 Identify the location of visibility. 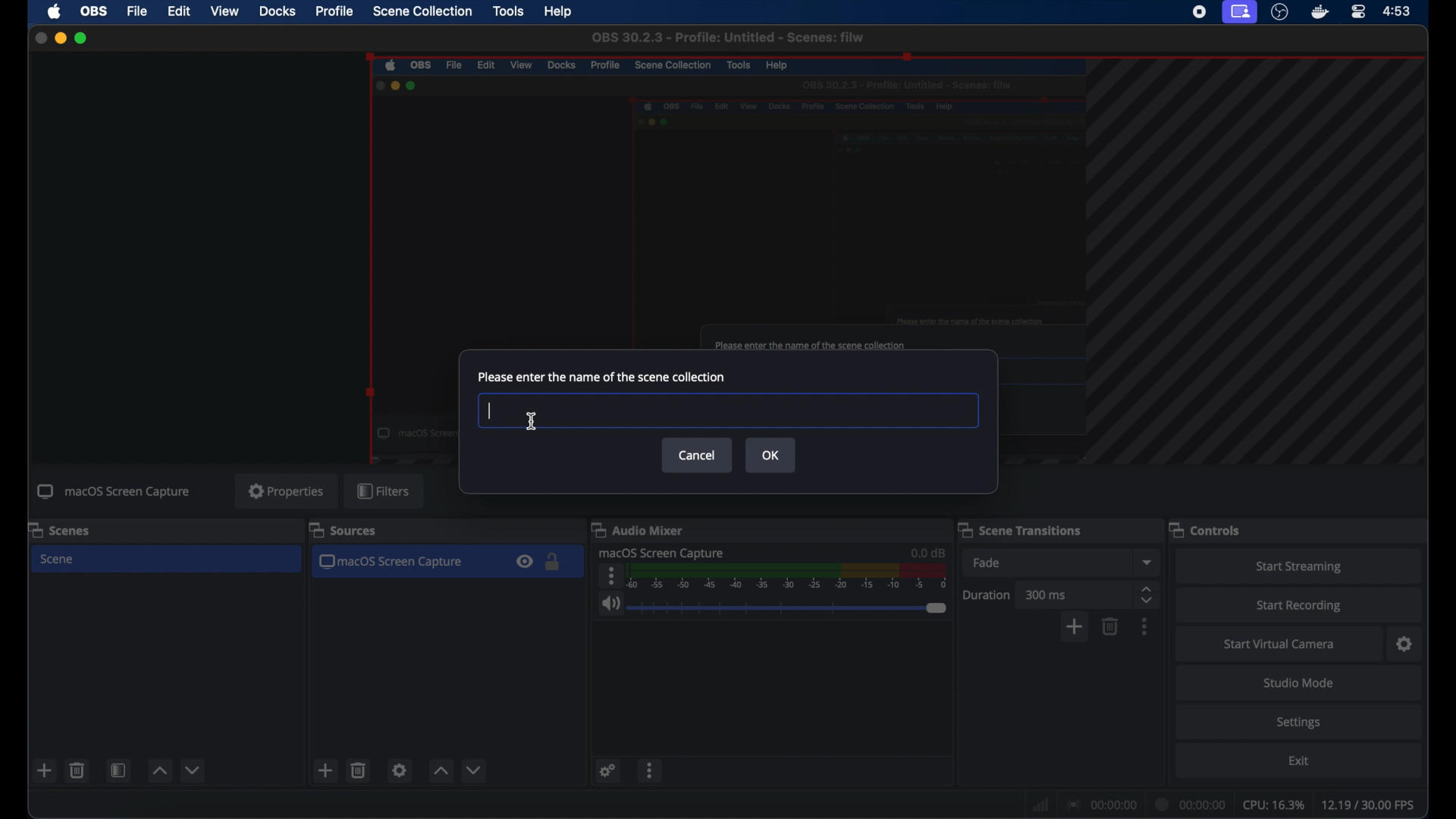
(525, 563).